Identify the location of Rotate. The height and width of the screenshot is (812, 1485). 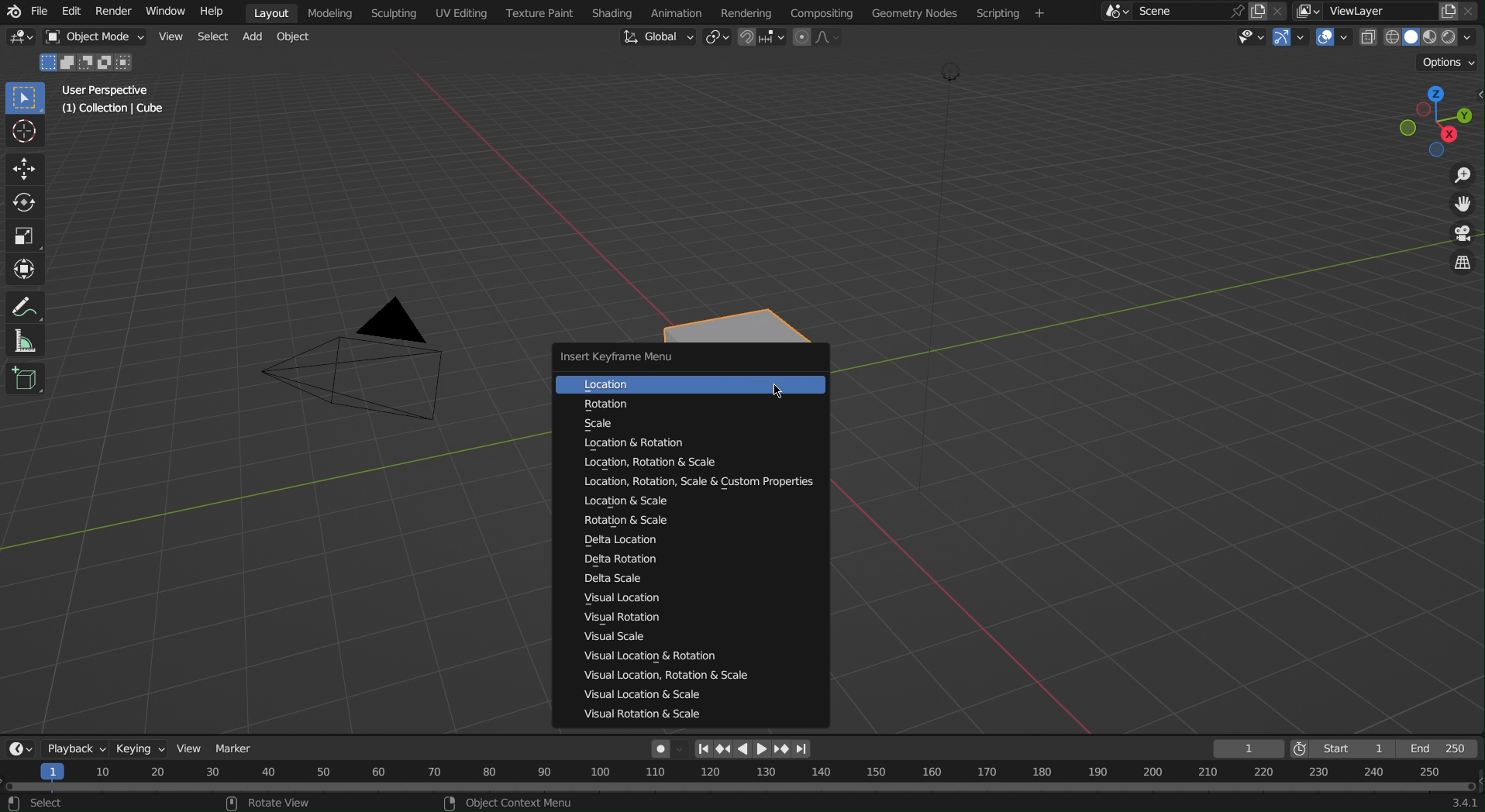
(24, 205).